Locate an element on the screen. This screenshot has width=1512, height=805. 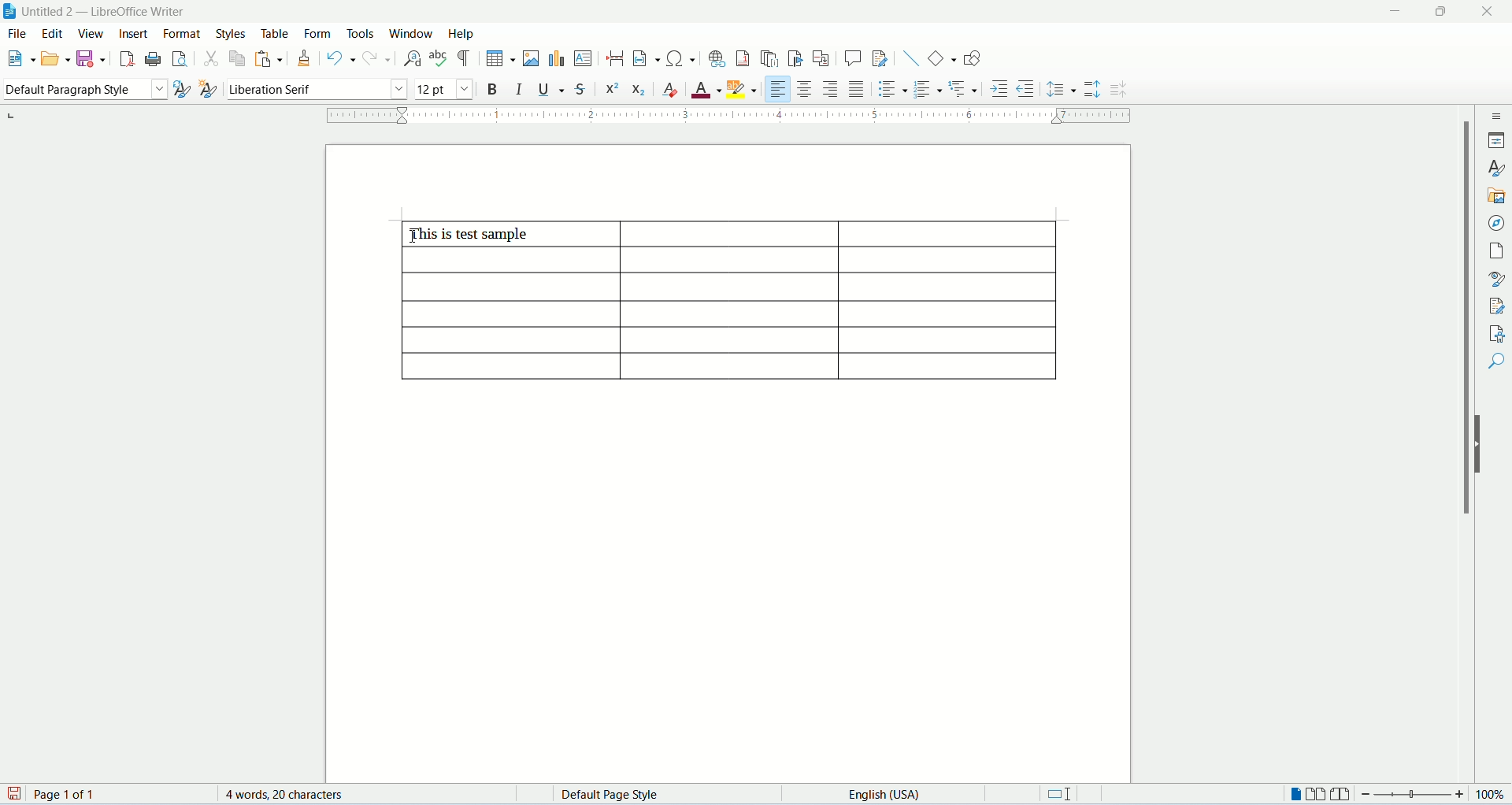
insert comment is located at coordinates (851, 60).